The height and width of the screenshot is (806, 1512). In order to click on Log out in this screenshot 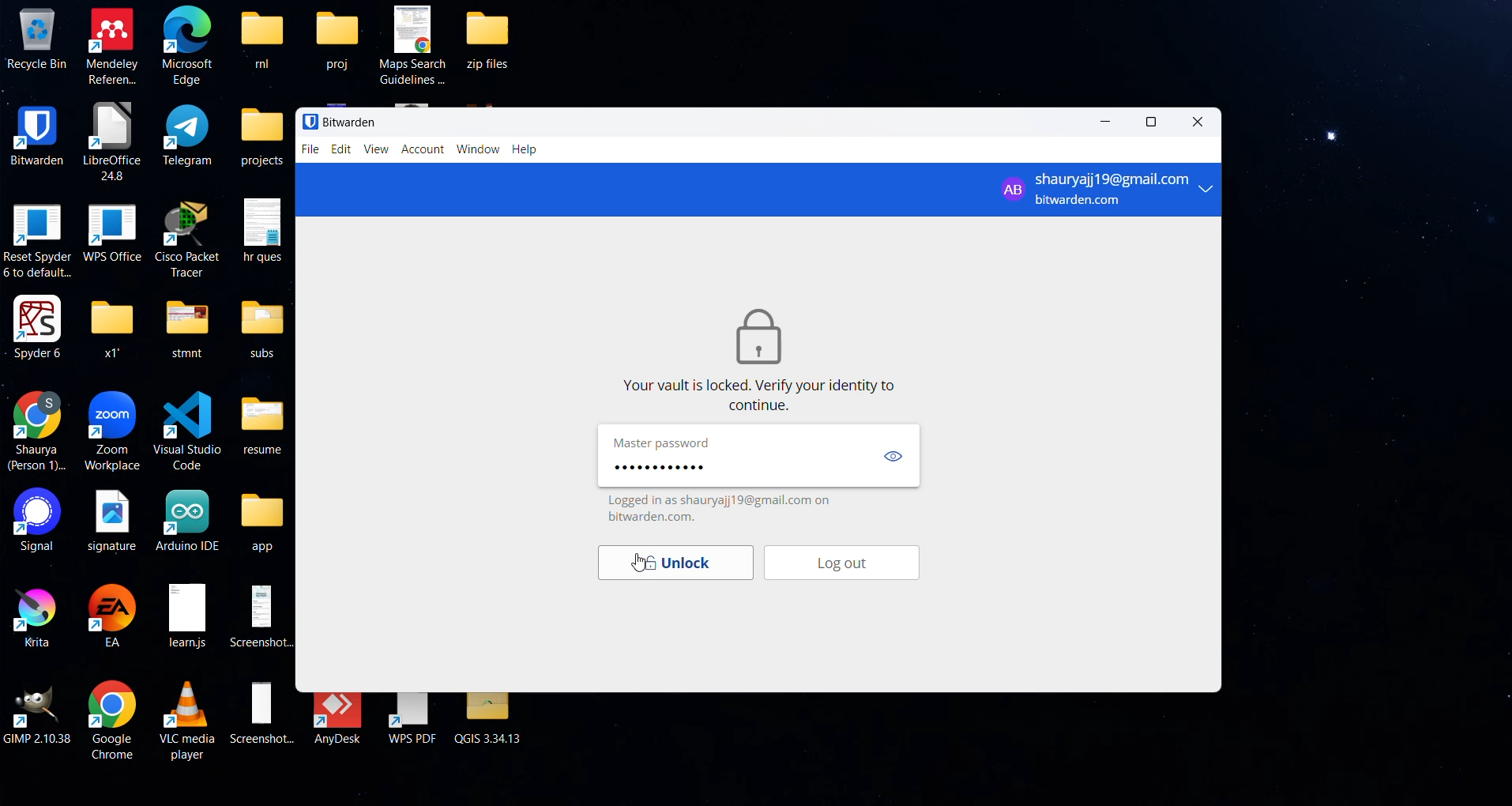, I will do `click(853, 565)`.